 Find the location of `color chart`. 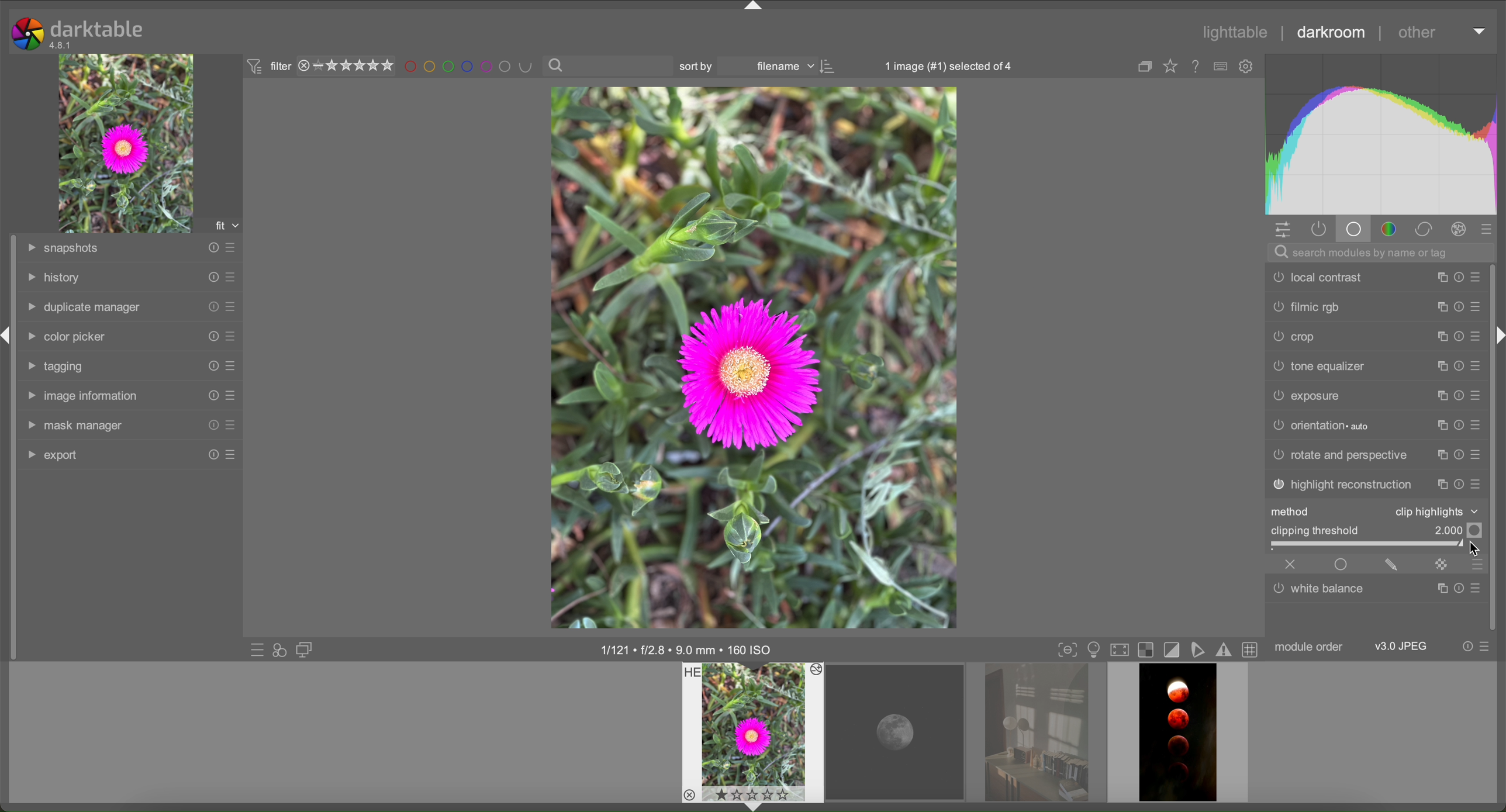

color chart is located at coordinates (1383, 133).